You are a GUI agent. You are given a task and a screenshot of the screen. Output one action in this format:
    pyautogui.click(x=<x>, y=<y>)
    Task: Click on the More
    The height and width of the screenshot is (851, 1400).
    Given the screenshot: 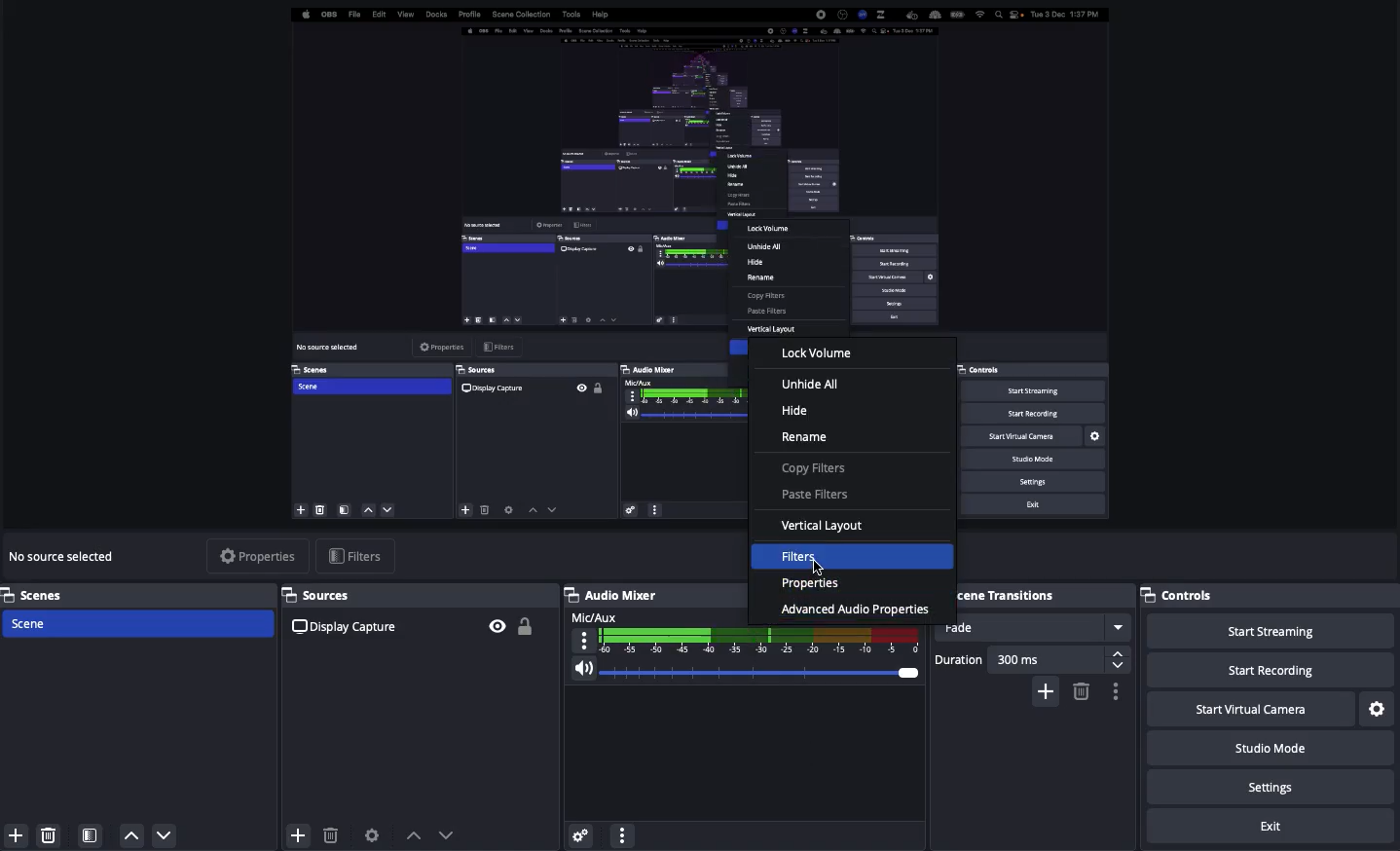 What is the action you would take?
    pyautogui.click(x=621, y=833)
    